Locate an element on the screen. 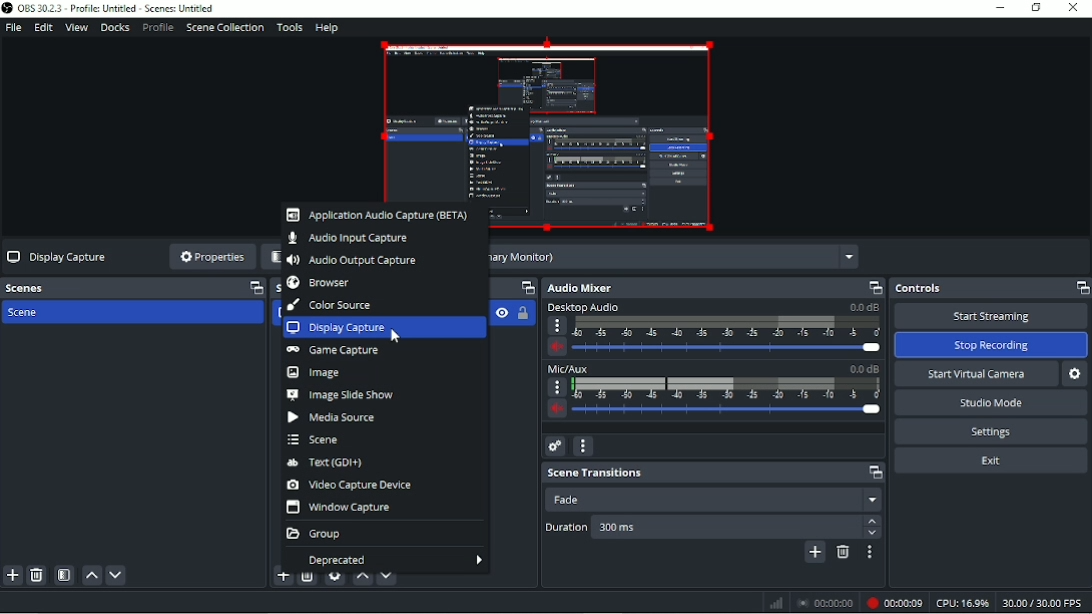  Audio mixer is located at coordinates (713, 288).